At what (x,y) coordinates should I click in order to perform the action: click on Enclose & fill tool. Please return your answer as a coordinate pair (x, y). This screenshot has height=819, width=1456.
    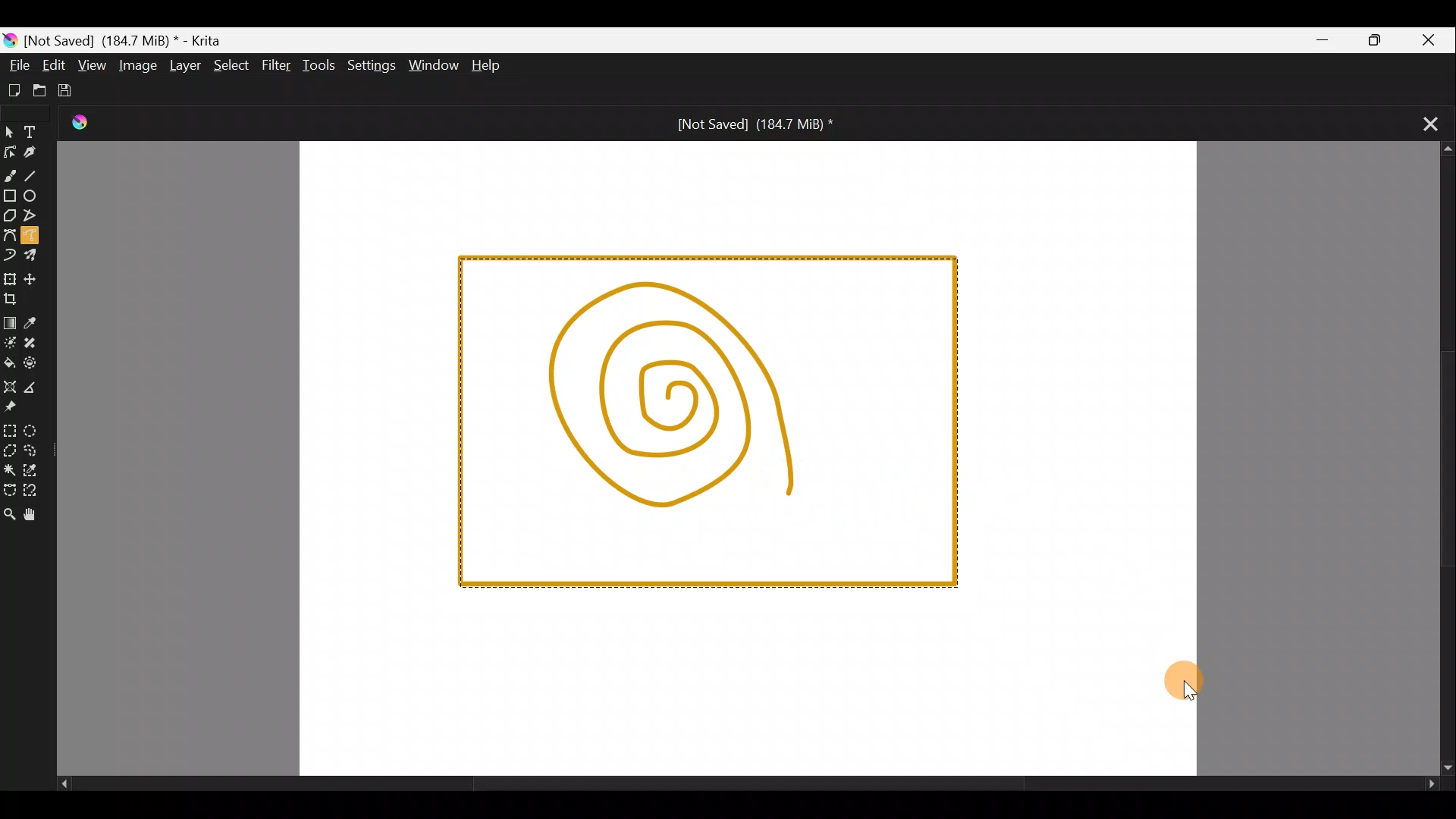
    Looking at the image, I should click on (33, 366).